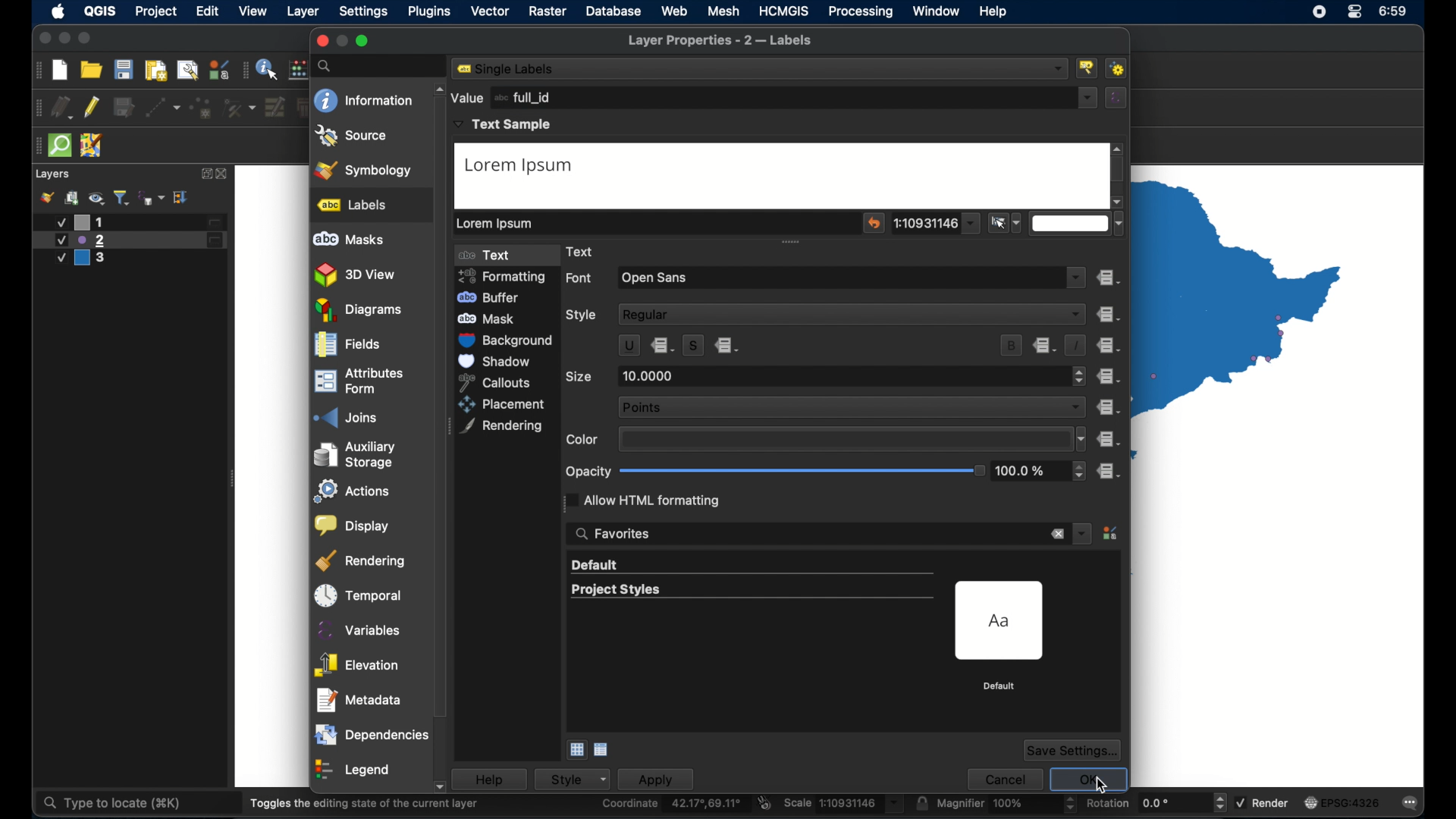  Describe the element at coordinates (523, 166) in the screenshot. I see `lorem ipsum` at that location.